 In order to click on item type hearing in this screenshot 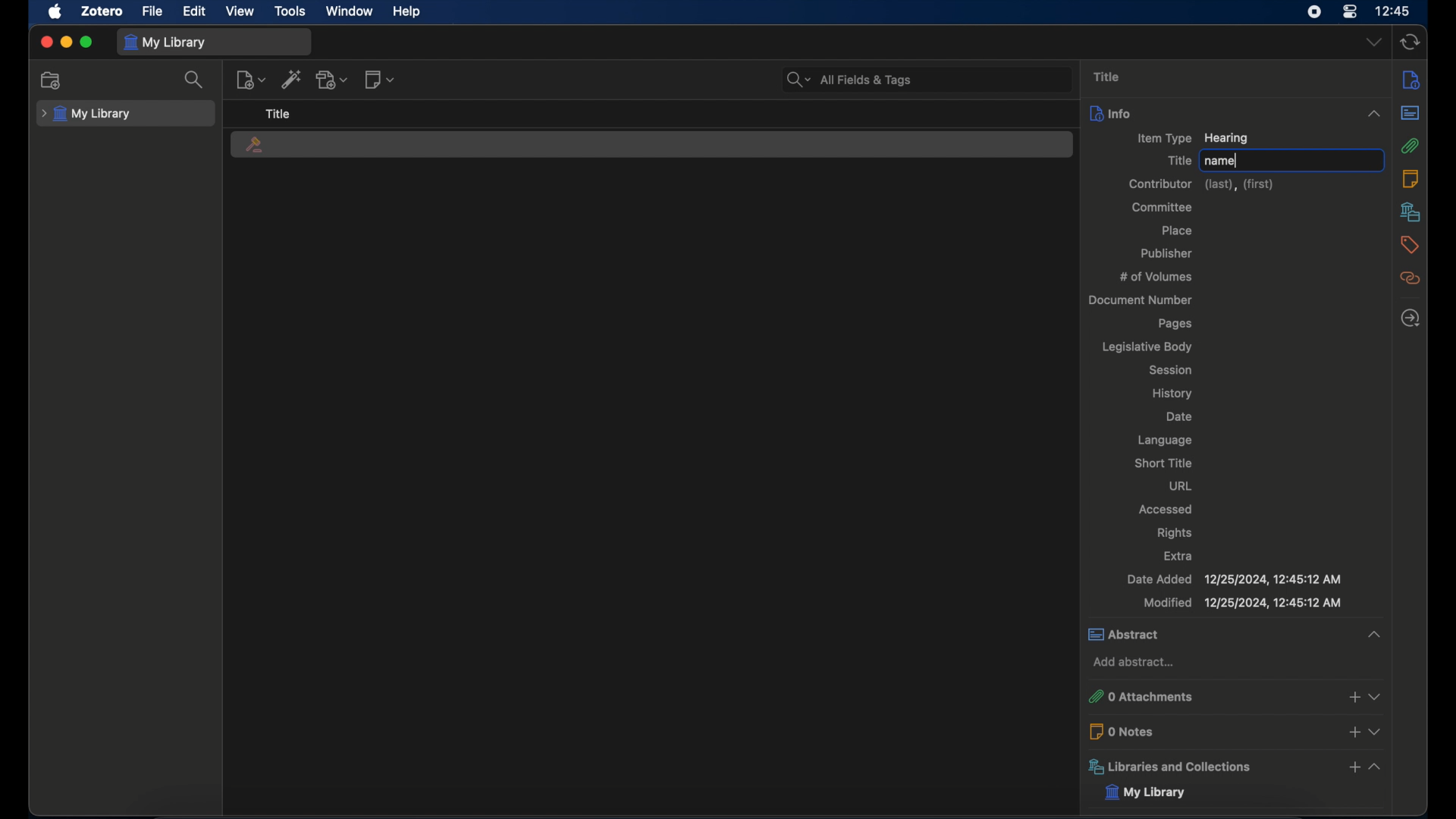, I will do `click(1192, 139)`.